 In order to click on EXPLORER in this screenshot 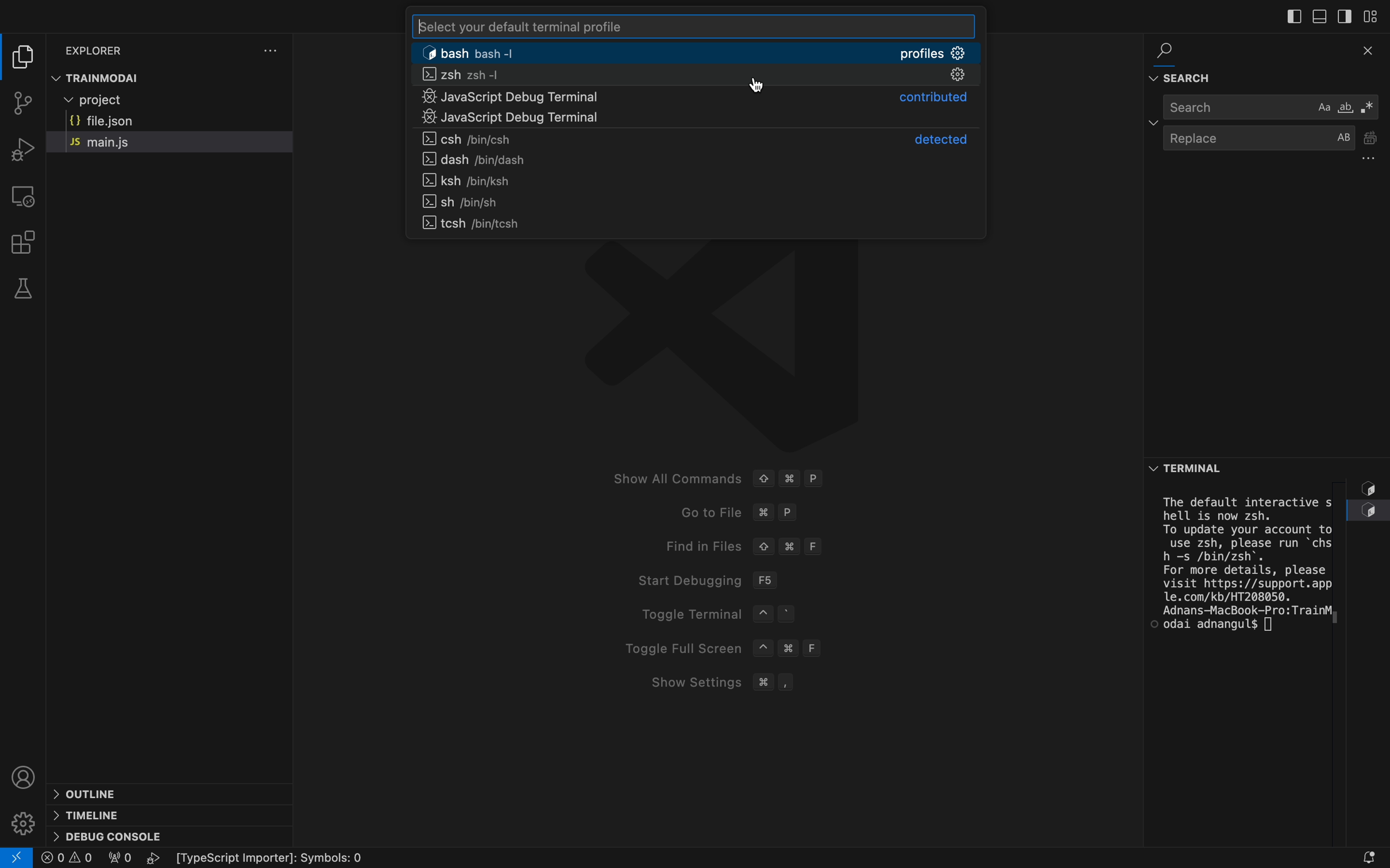, I will do `click(114, 47)`.